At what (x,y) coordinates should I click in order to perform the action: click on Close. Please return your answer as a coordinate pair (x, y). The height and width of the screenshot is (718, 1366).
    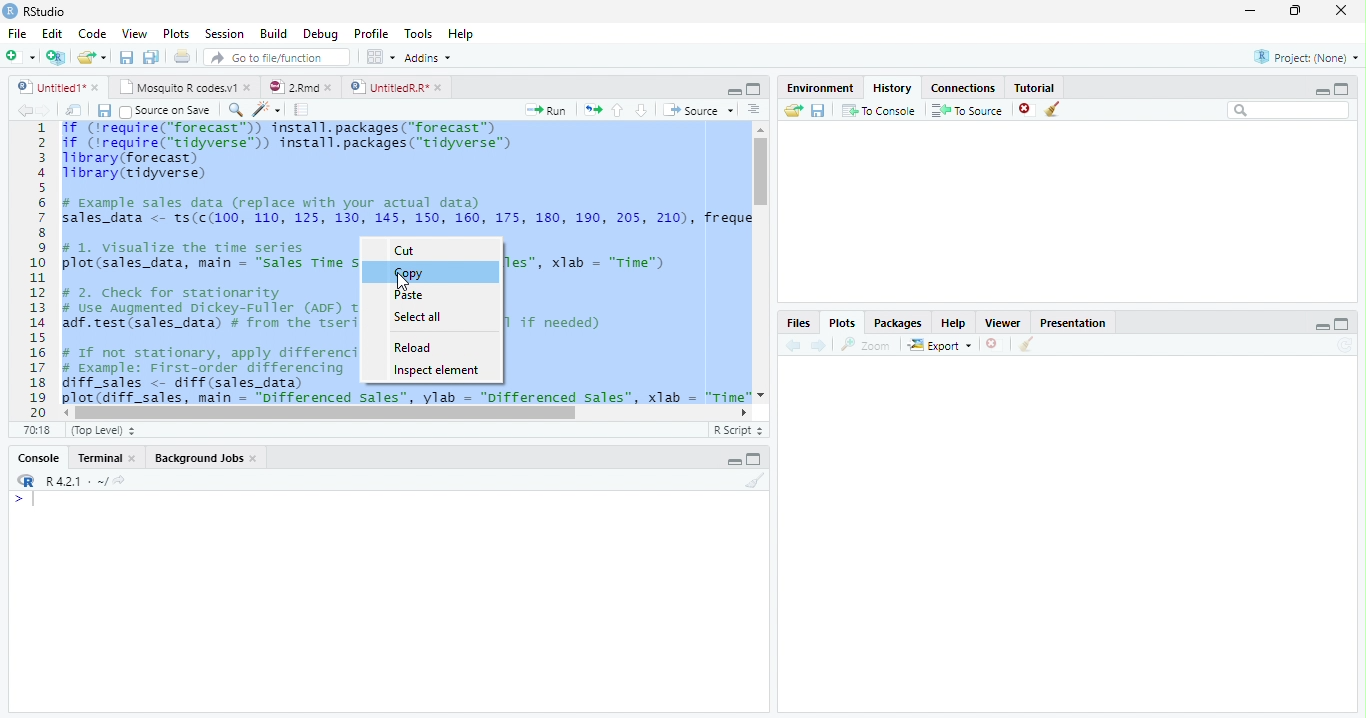
    Looking at the image, I should click on (1343, 11).